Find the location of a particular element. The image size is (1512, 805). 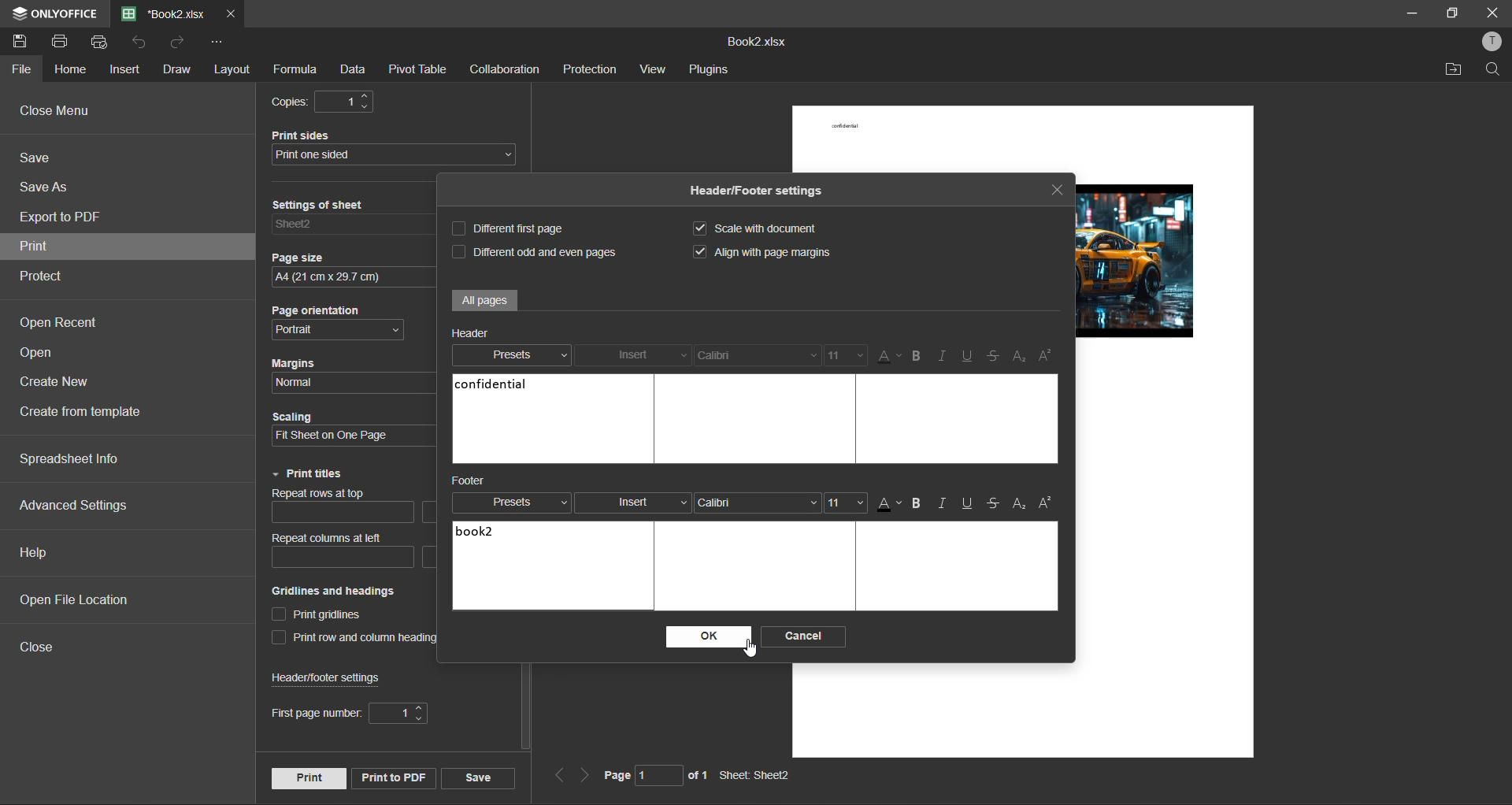

italic is located at coordinates (944, 355).